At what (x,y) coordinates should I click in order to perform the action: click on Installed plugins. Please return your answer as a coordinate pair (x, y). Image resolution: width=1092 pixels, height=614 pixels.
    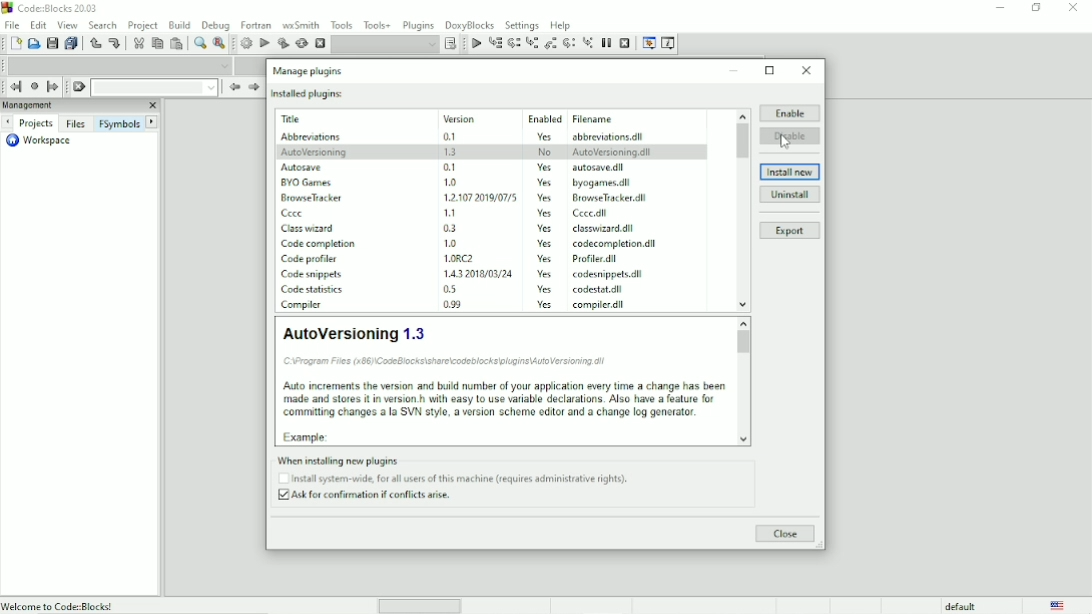
    Looking at the image, I should click on (307, 93).